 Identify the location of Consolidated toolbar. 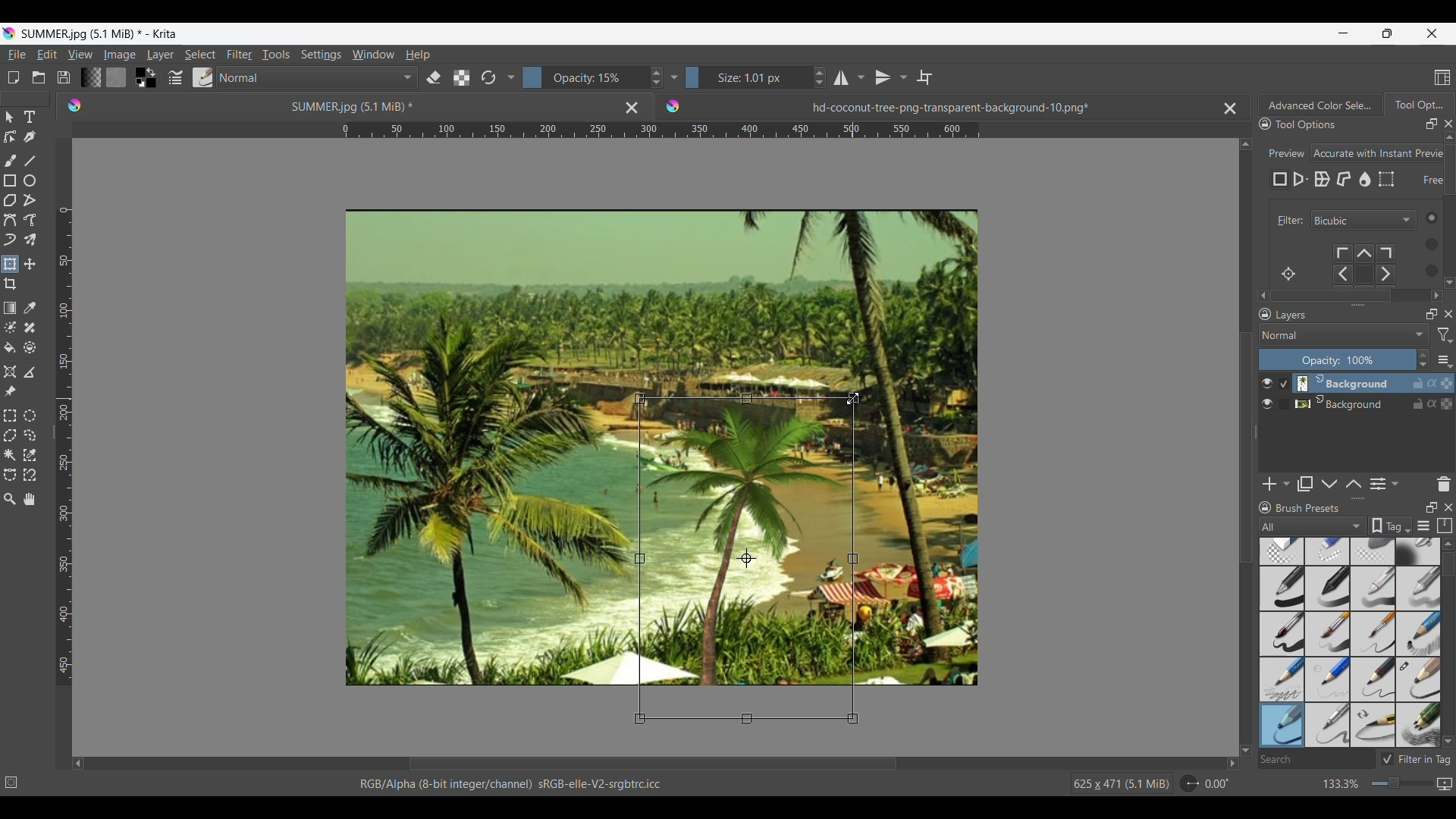
(510, 77).